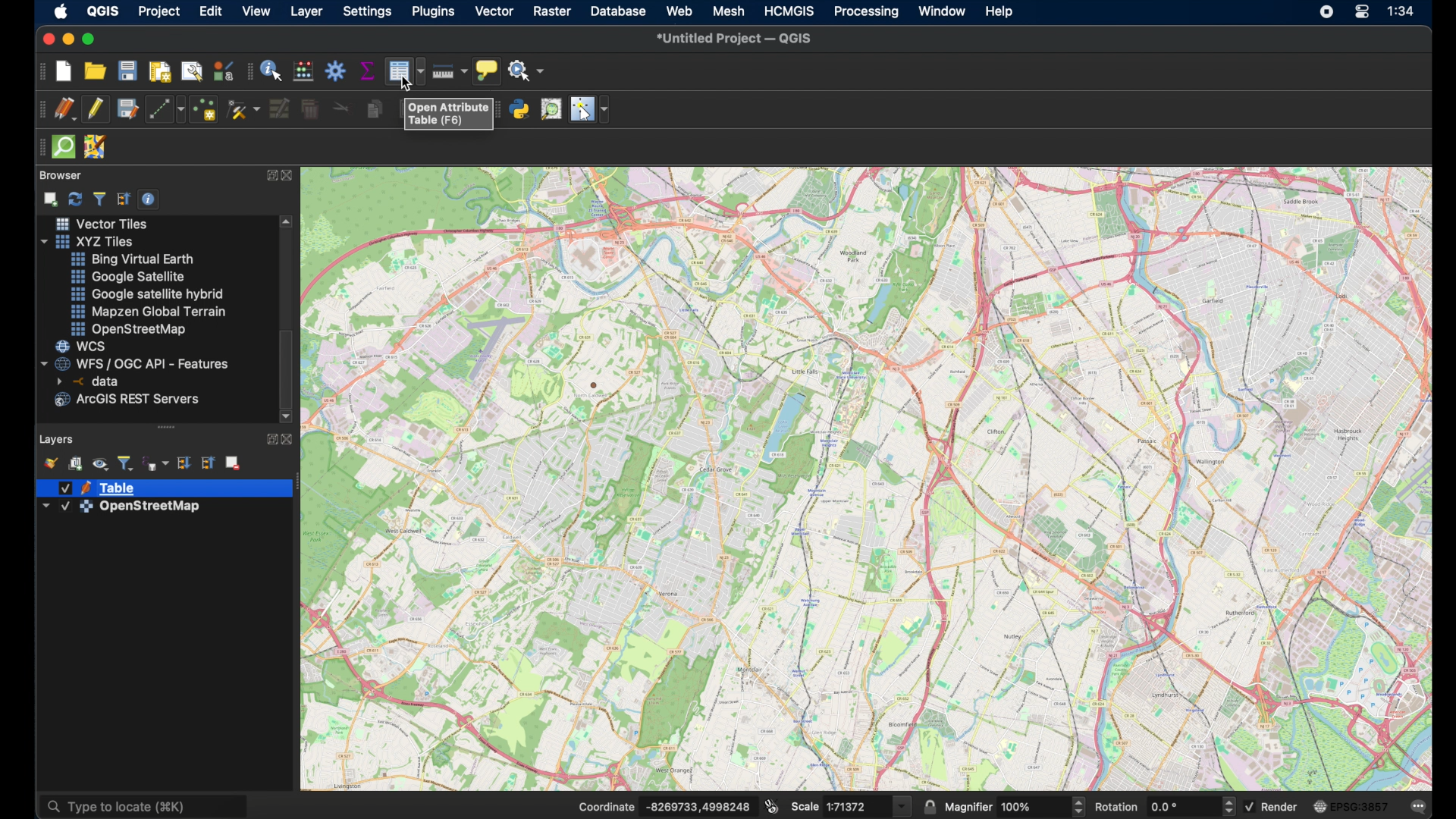  What do you see at coordinates (145, 294) in the screenshot?
I see `gogole satellite hybrid` at bounding box center [145, 294].